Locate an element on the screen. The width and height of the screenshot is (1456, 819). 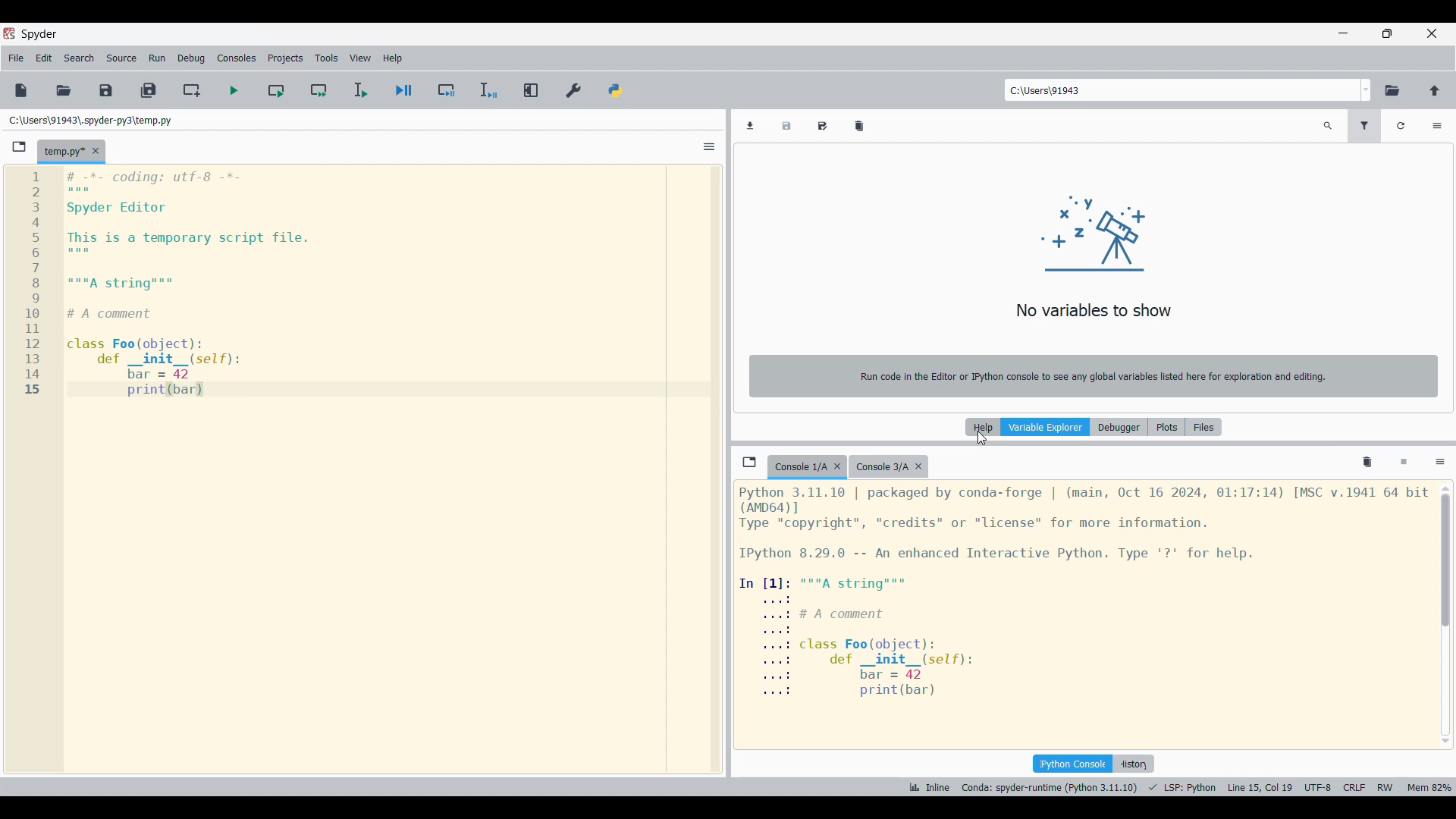
Canada: spyder-runtime (Python 3.11.10) is located at coordinates (1047, 786).